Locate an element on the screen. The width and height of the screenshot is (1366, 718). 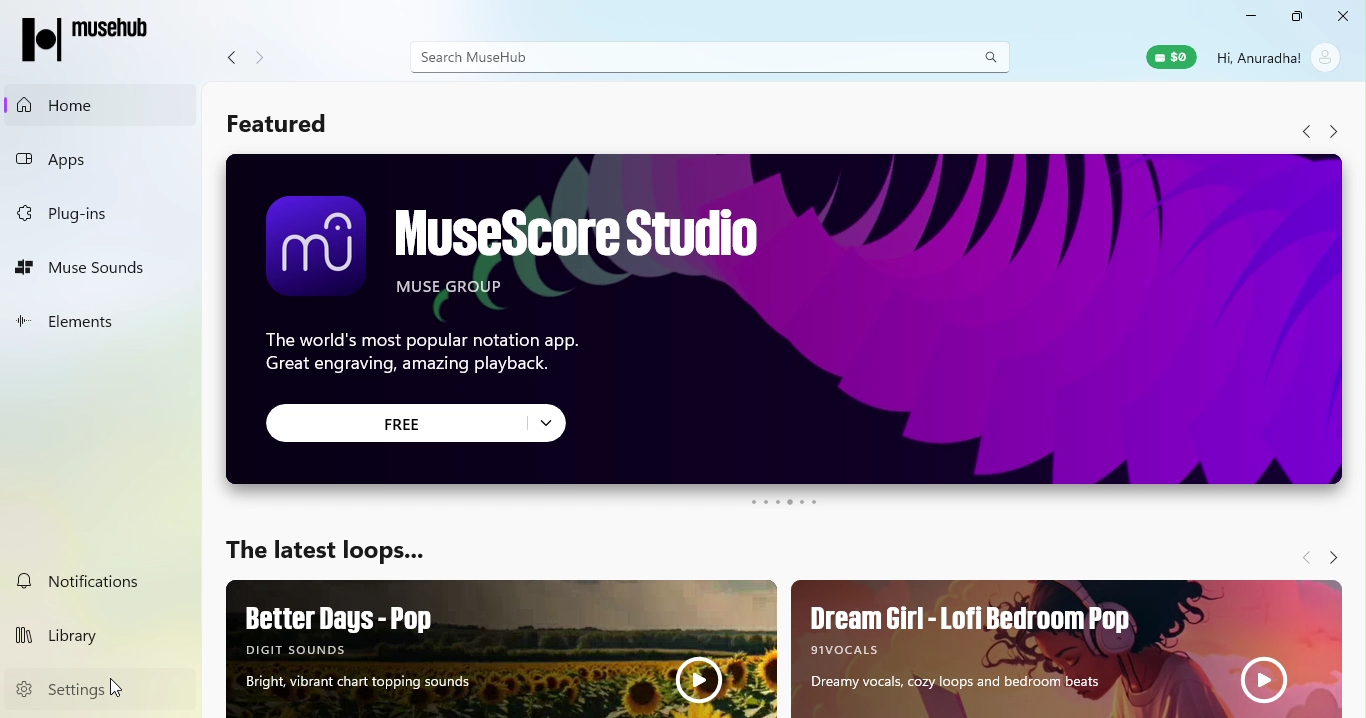
MuseScore Studio is located at coordinates (572, 250).